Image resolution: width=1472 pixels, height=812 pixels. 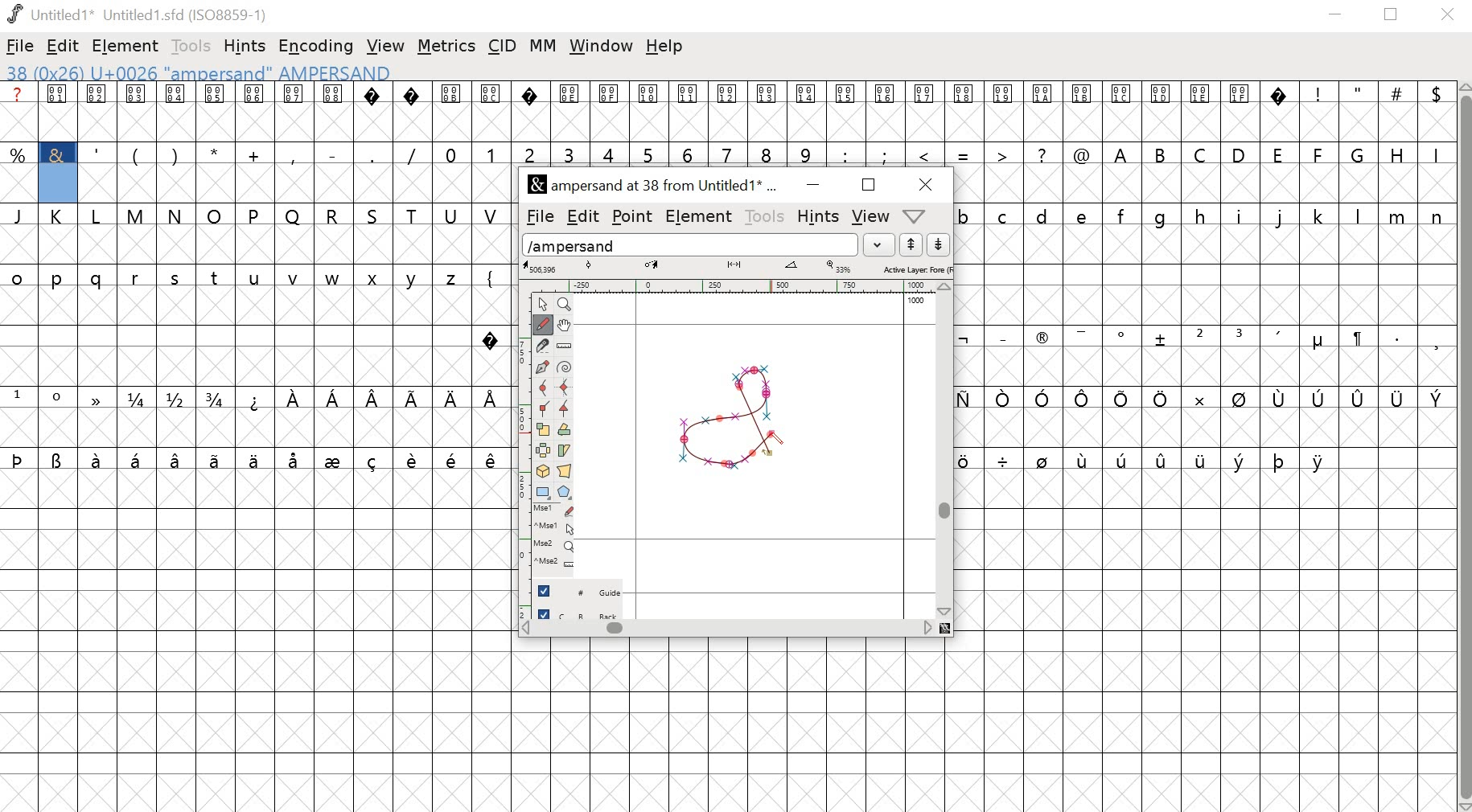 I want to click on O, so click(x=215, y=215).